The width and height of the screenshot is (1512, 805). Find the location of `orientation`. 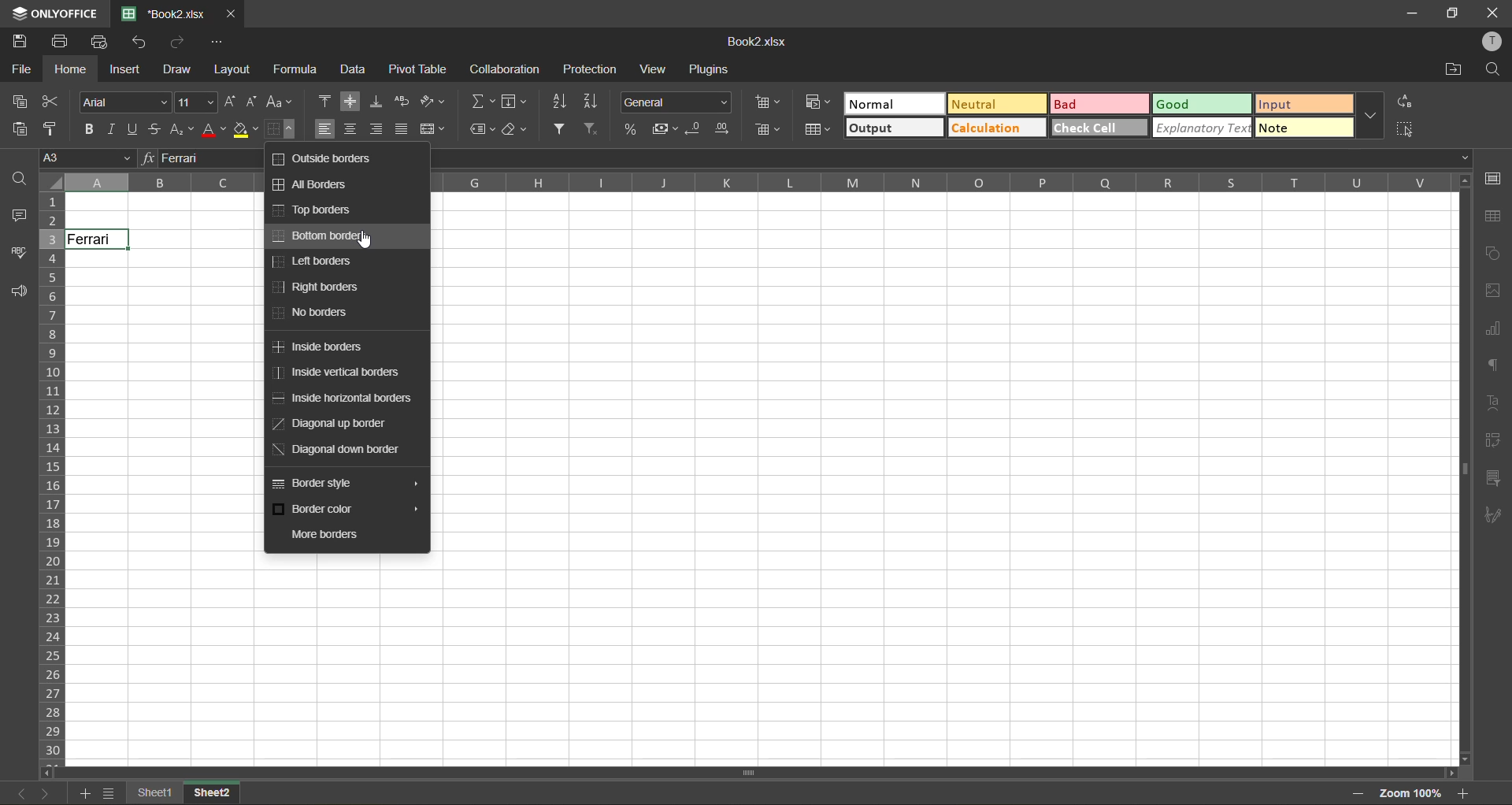

orientation is located at coordinates (437, 102).